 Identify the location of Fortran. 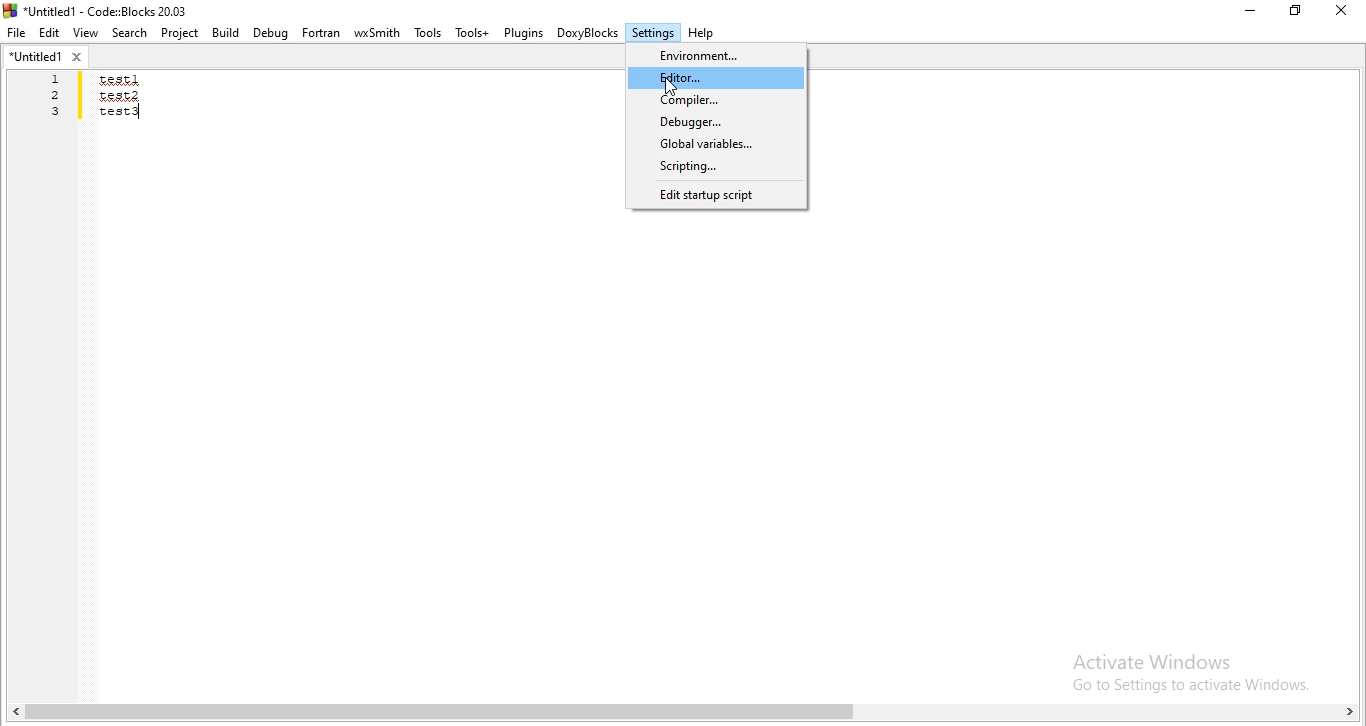
(322, 33).